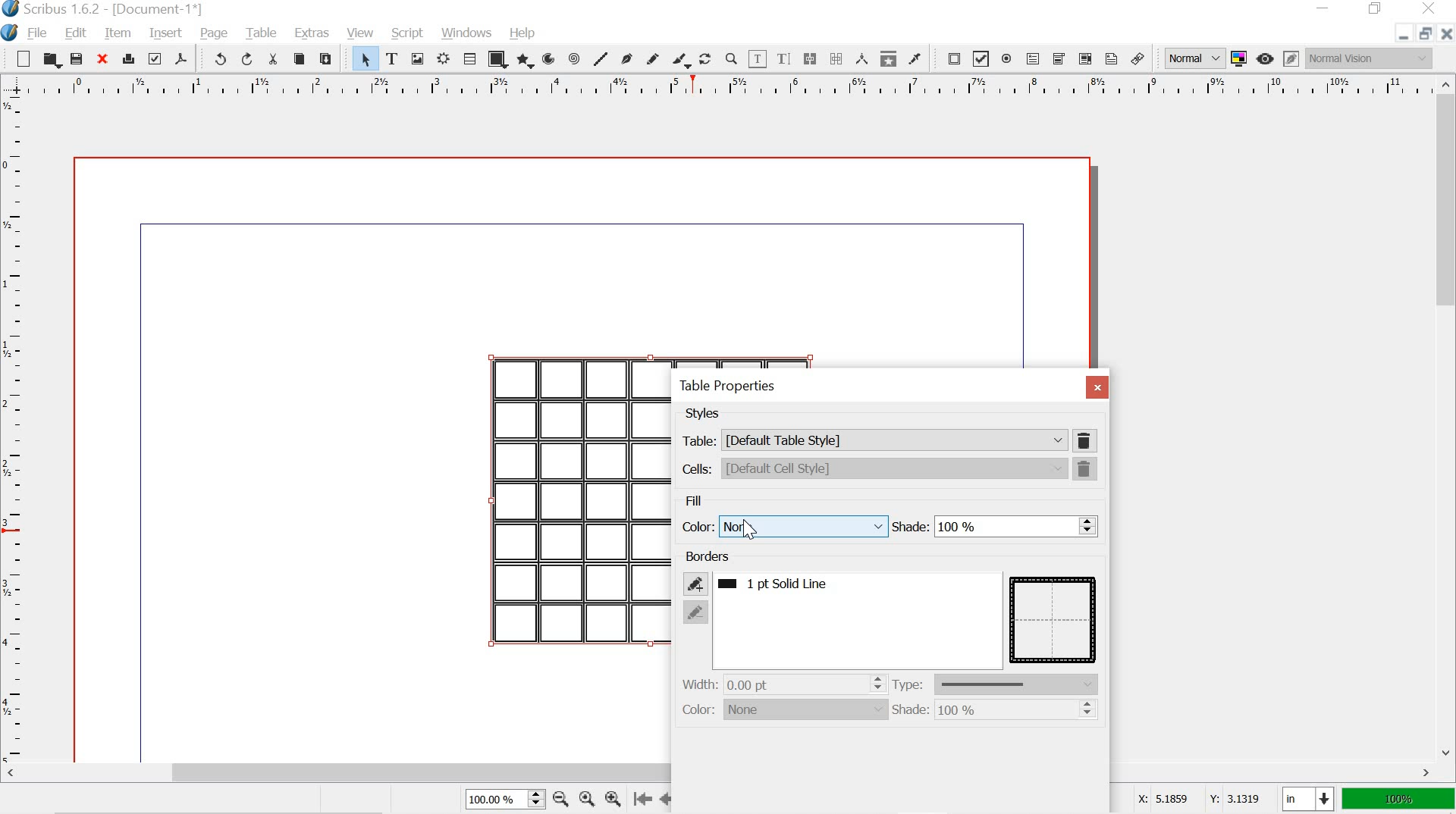 The image size is (1456, 814). Describe the element at coordinates (783, 710) in the screenshot. I see `color: None` at that location.